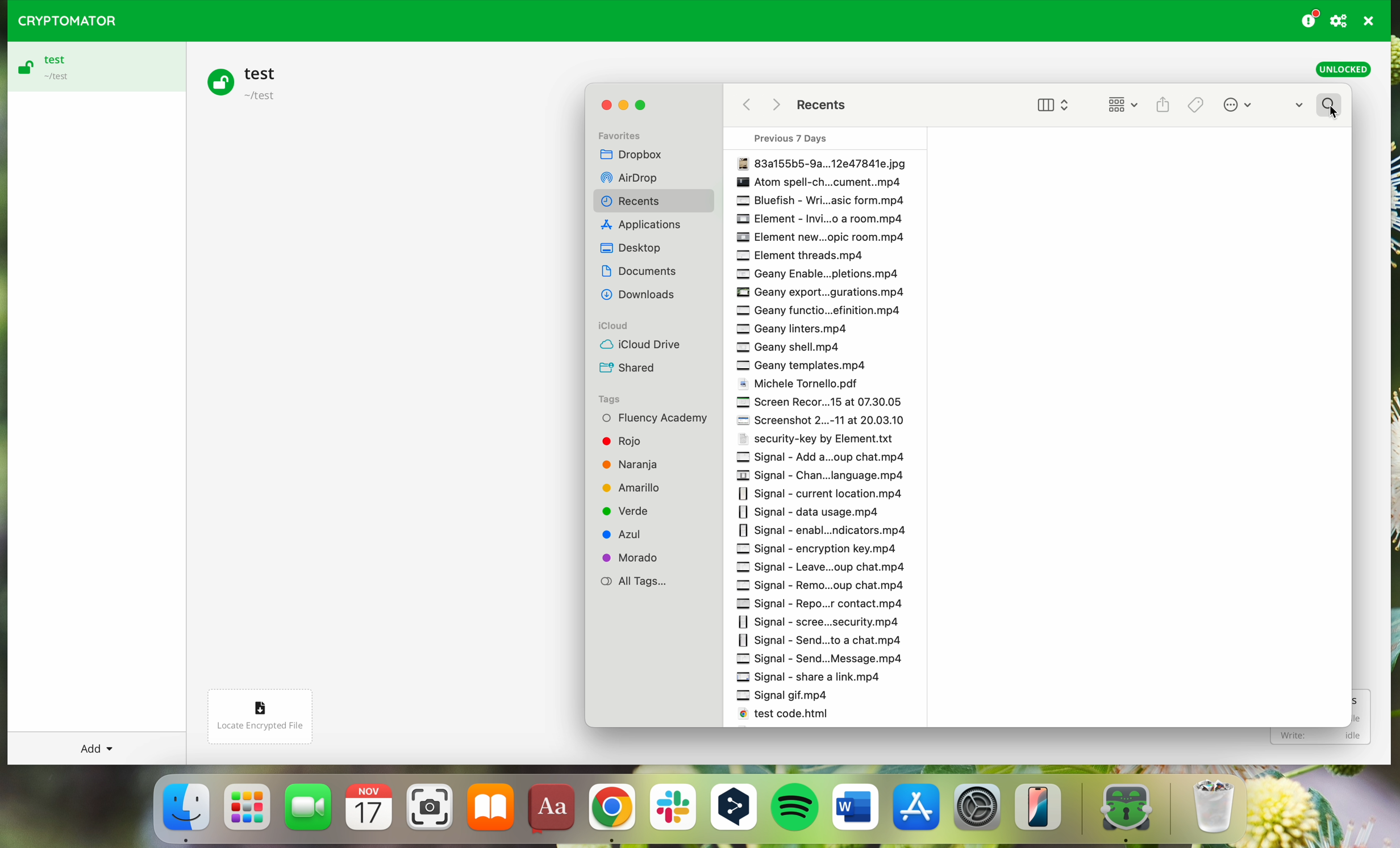 The image size is (1400, 848). I want to click on CRYPTOMATOR LOGO, so click(62, 18).